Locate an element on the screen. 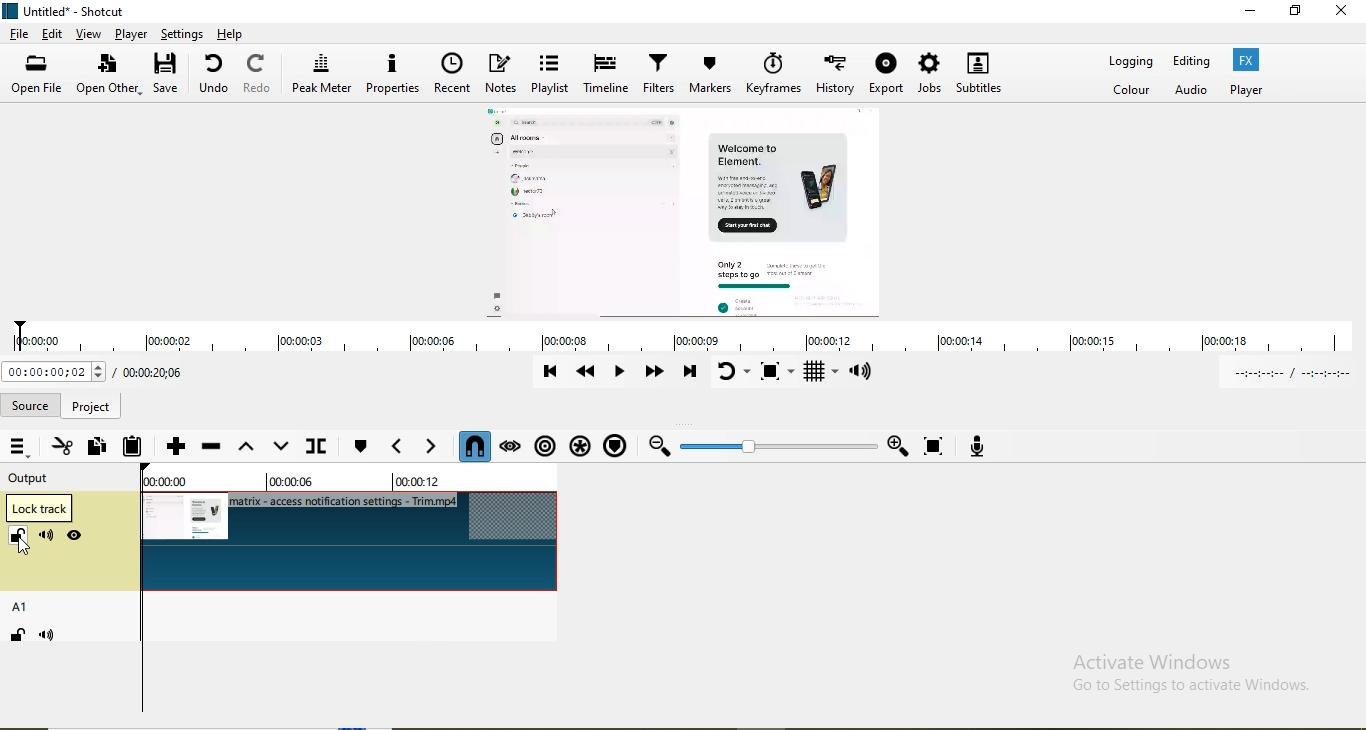 This screenshot has width=1366, height=730. Undo is located at coordinates (217, 76).